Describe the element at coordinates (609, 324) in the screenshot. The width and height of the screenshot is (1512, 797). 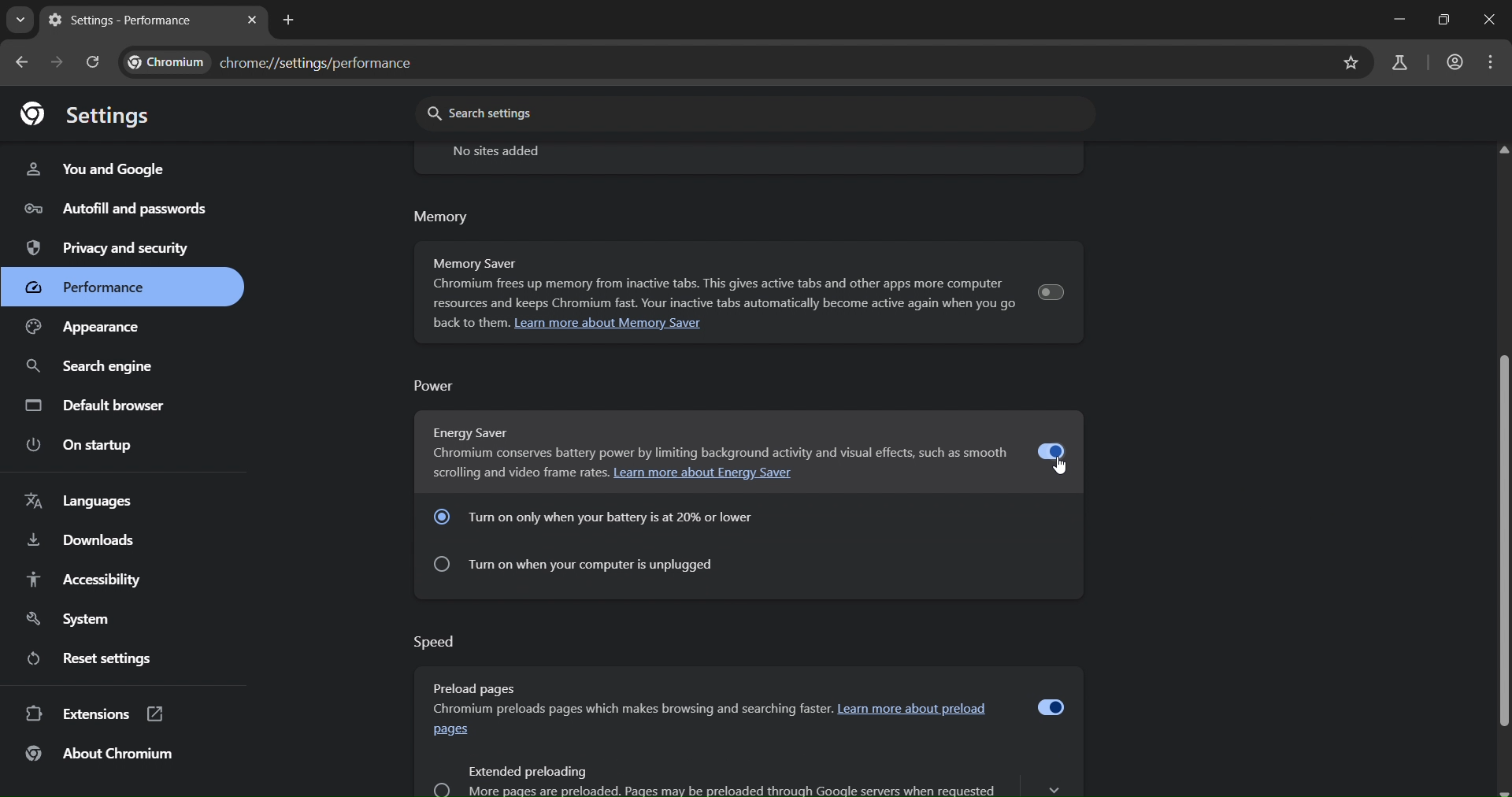
I see `Learn more about Memory Saver` at that location.